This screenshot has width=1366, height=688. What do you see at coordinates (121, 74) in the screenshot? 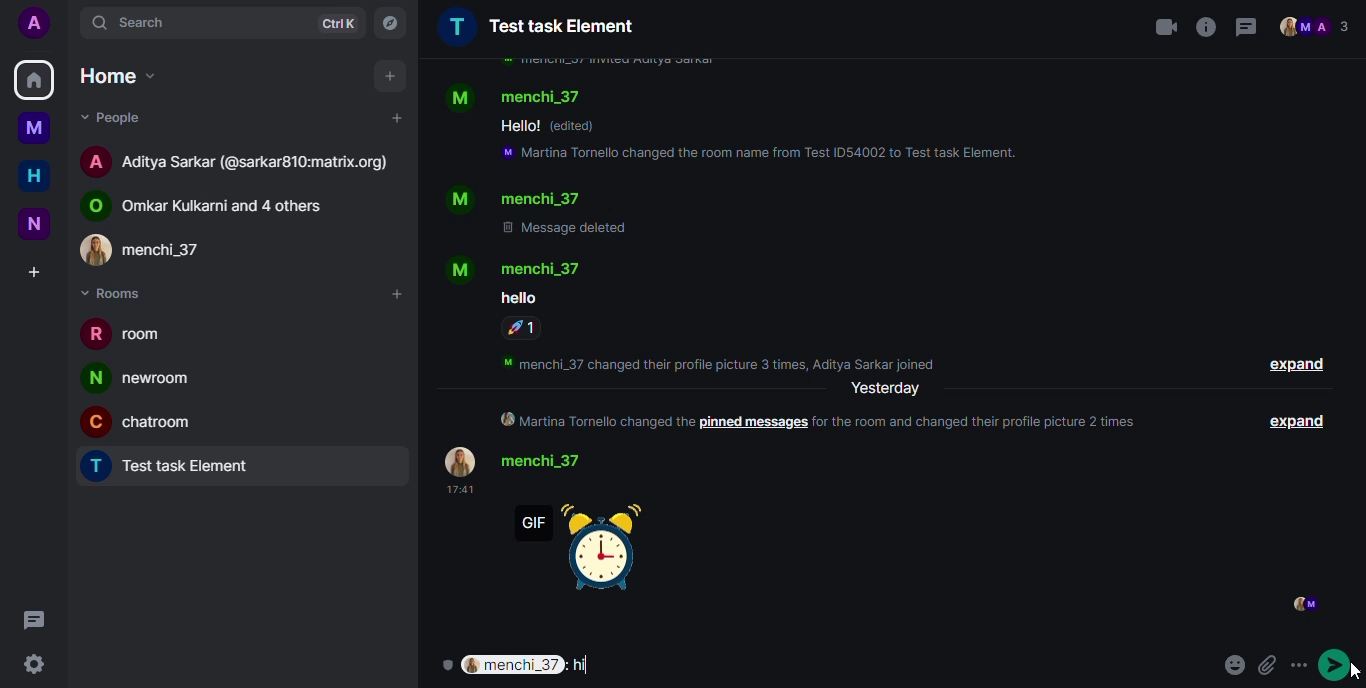
I see `home drop down` at bounding box center [121, 74].